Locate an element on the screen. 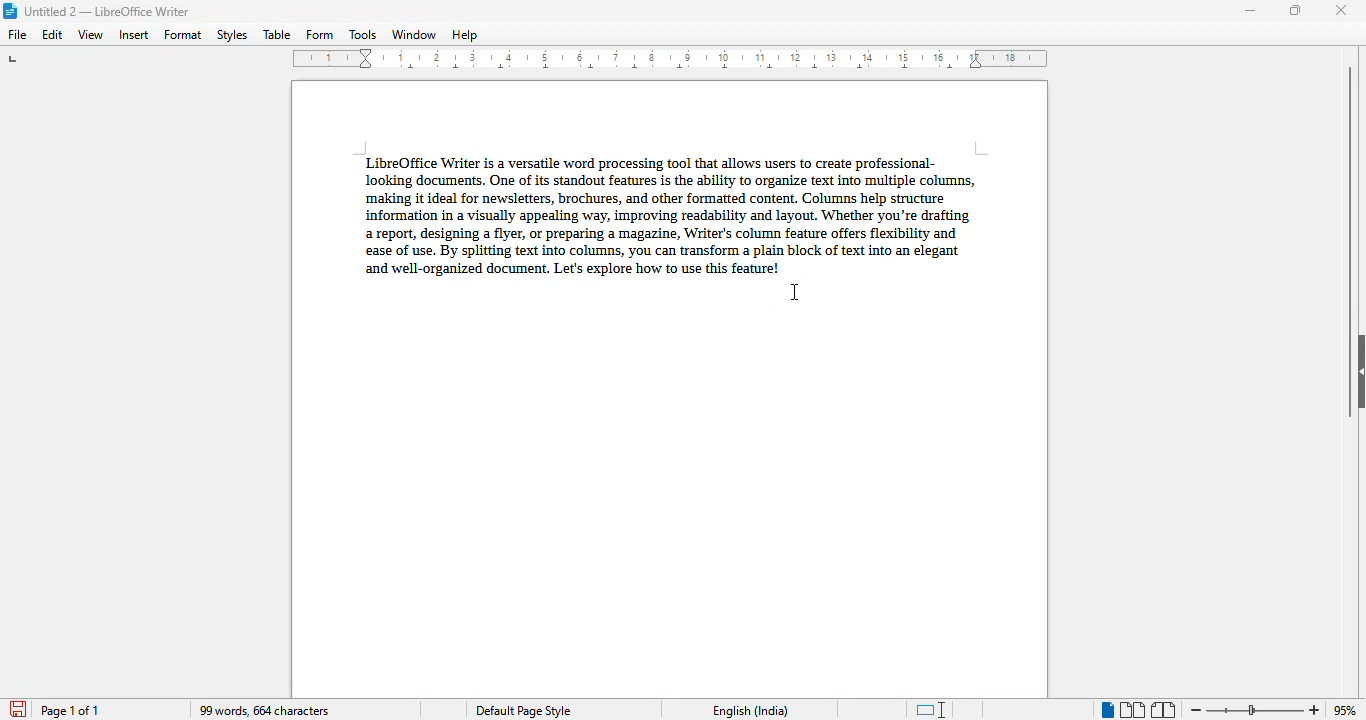  help is located at coordinates (464, 35).